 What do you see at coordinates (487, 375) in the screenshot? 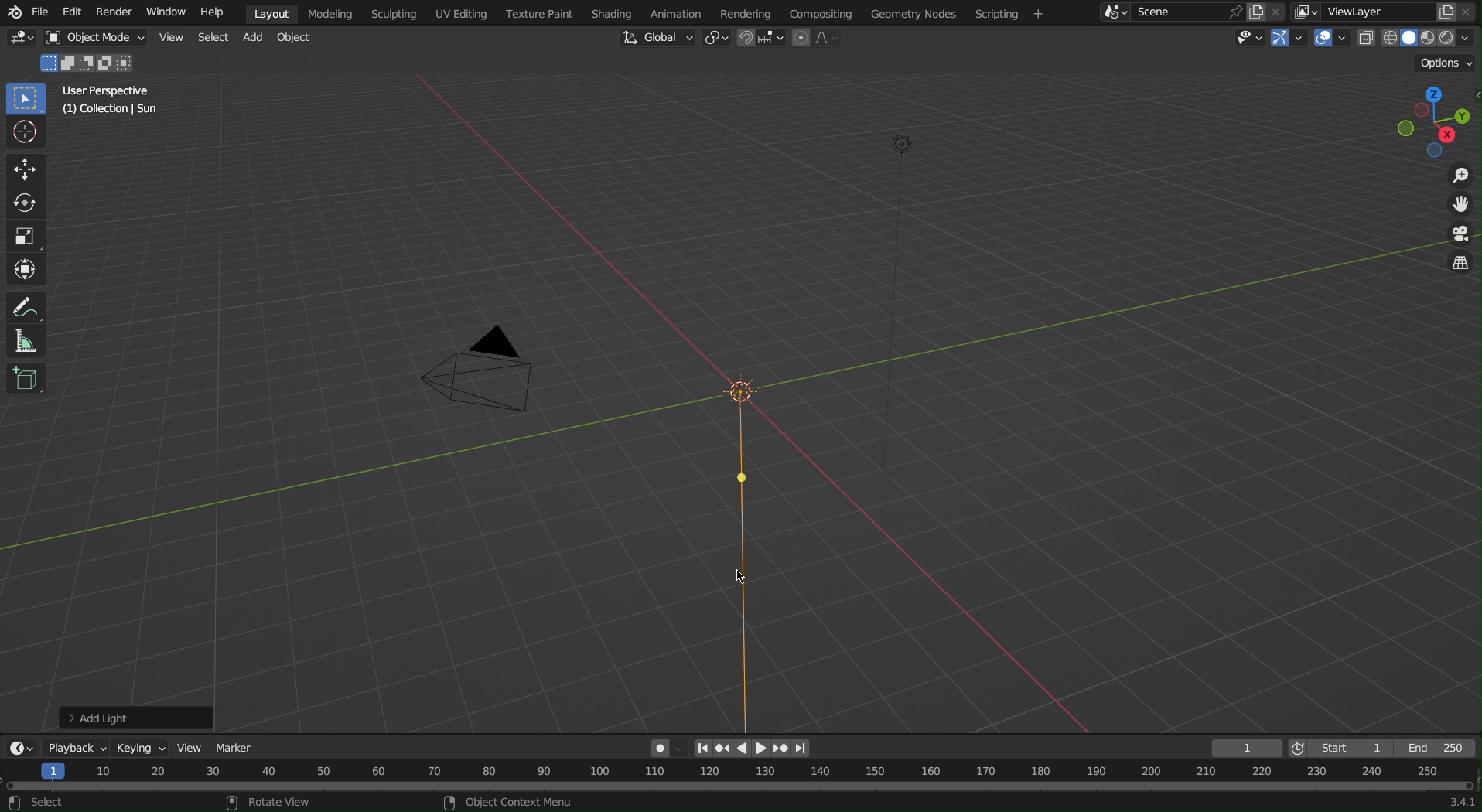
I see `Camera selected` at bounding box center [487, 375].